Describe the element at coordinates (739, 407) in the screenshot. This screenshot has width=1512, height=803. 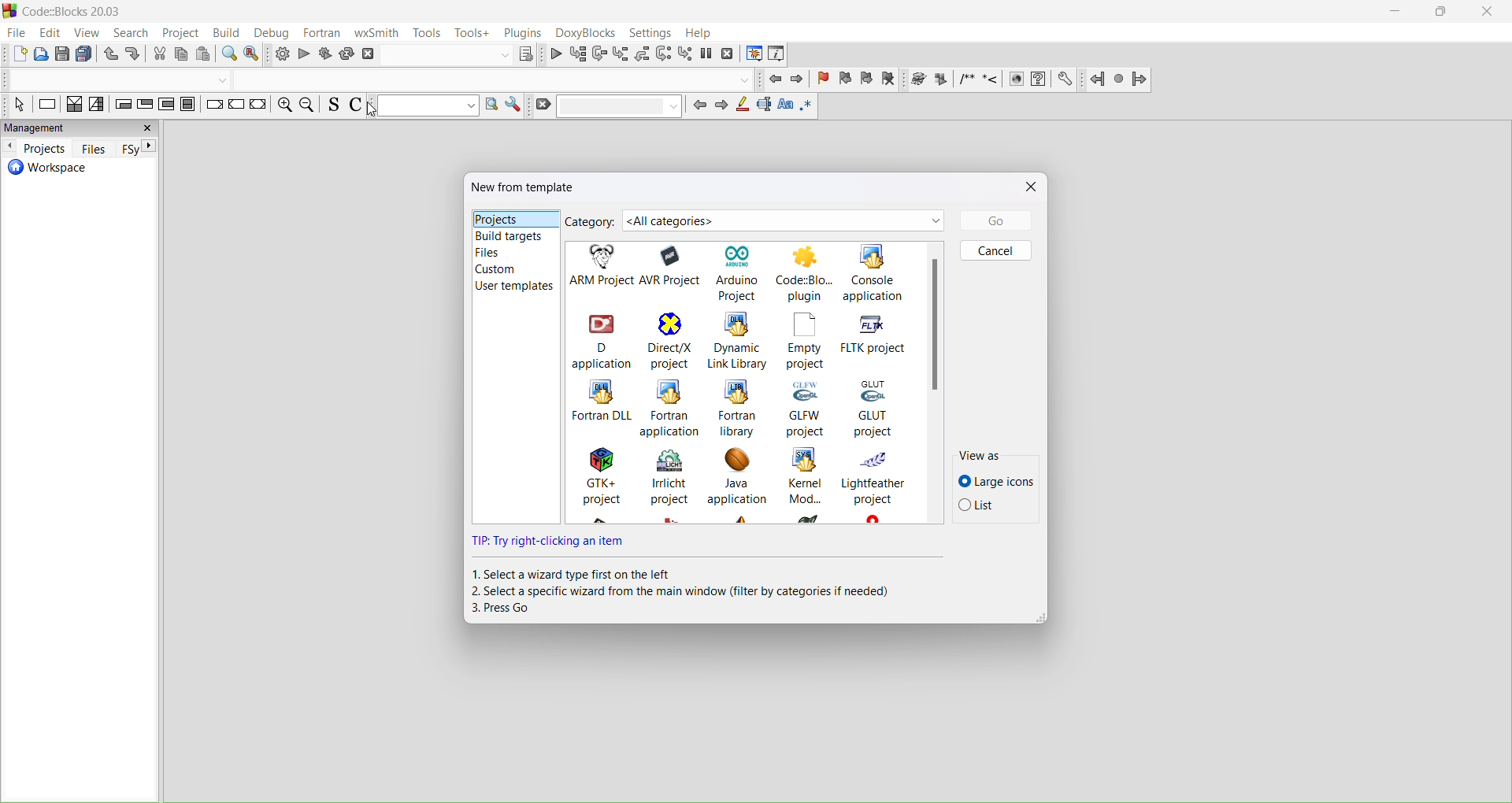
I see `fortran library` at that location.